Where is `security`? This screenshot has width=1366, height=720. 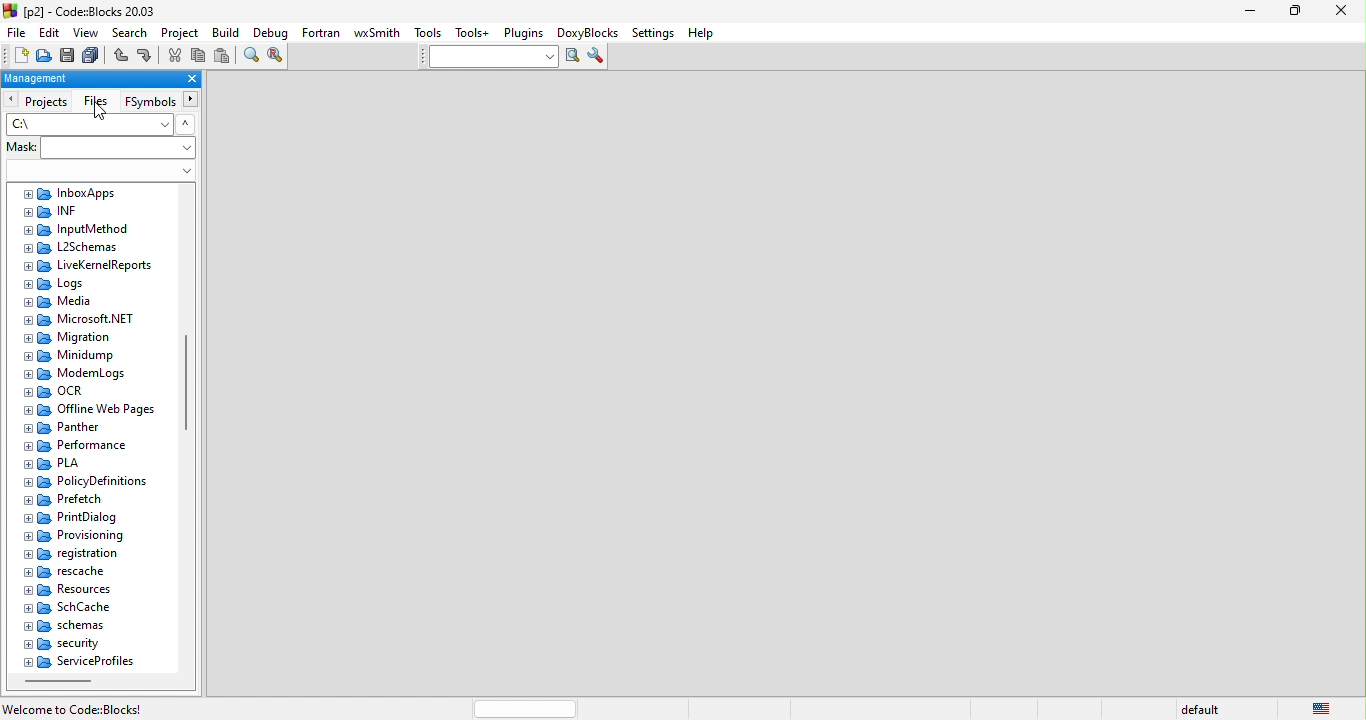
security is located at coordinates (89, 643).